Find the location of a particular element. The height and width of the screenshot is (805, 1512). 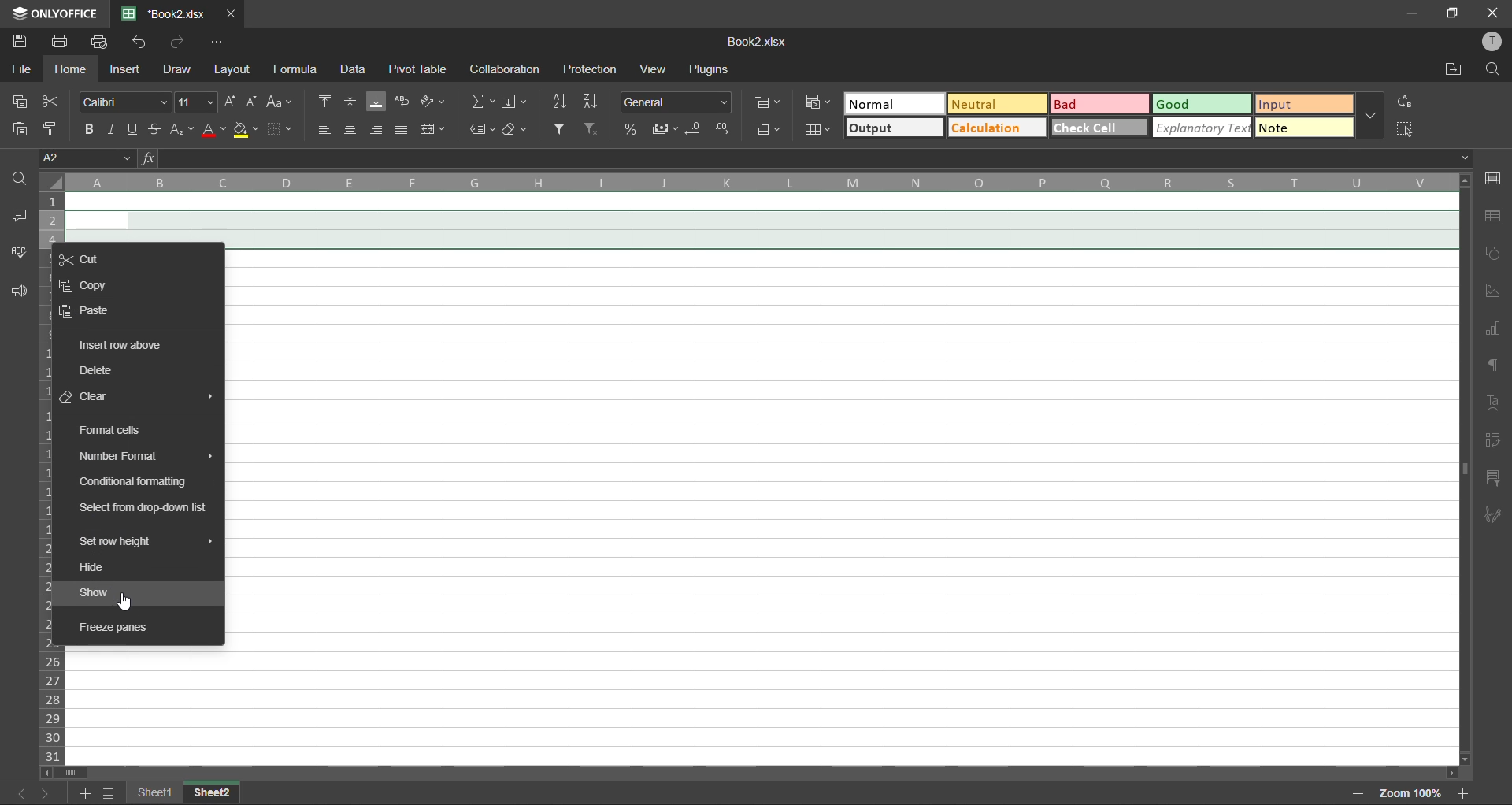

copy is located at coordinates (88, 286).